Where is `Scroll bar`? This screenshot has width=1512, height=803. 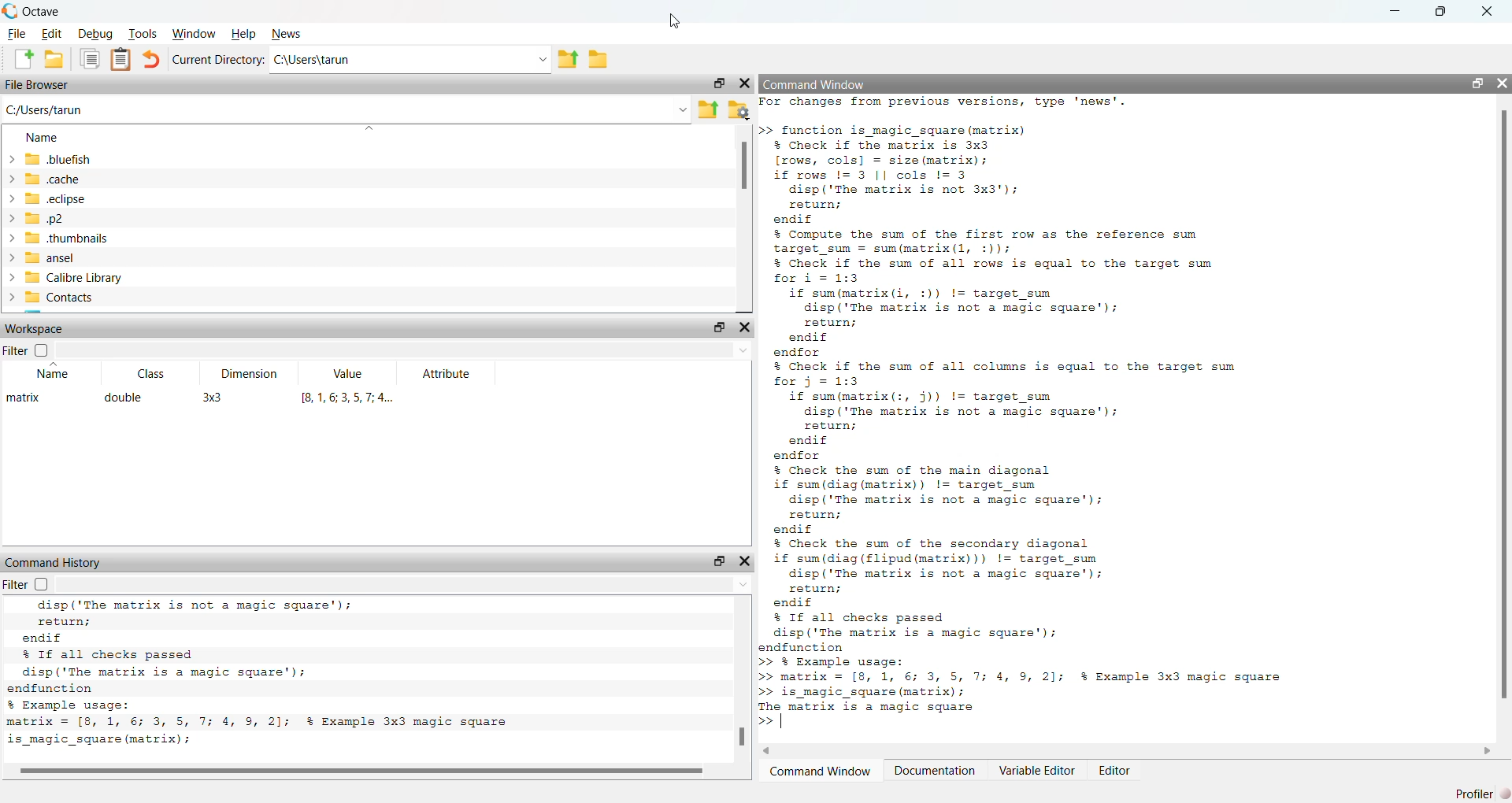 Scroll bar is located at coordinates (743, 166).